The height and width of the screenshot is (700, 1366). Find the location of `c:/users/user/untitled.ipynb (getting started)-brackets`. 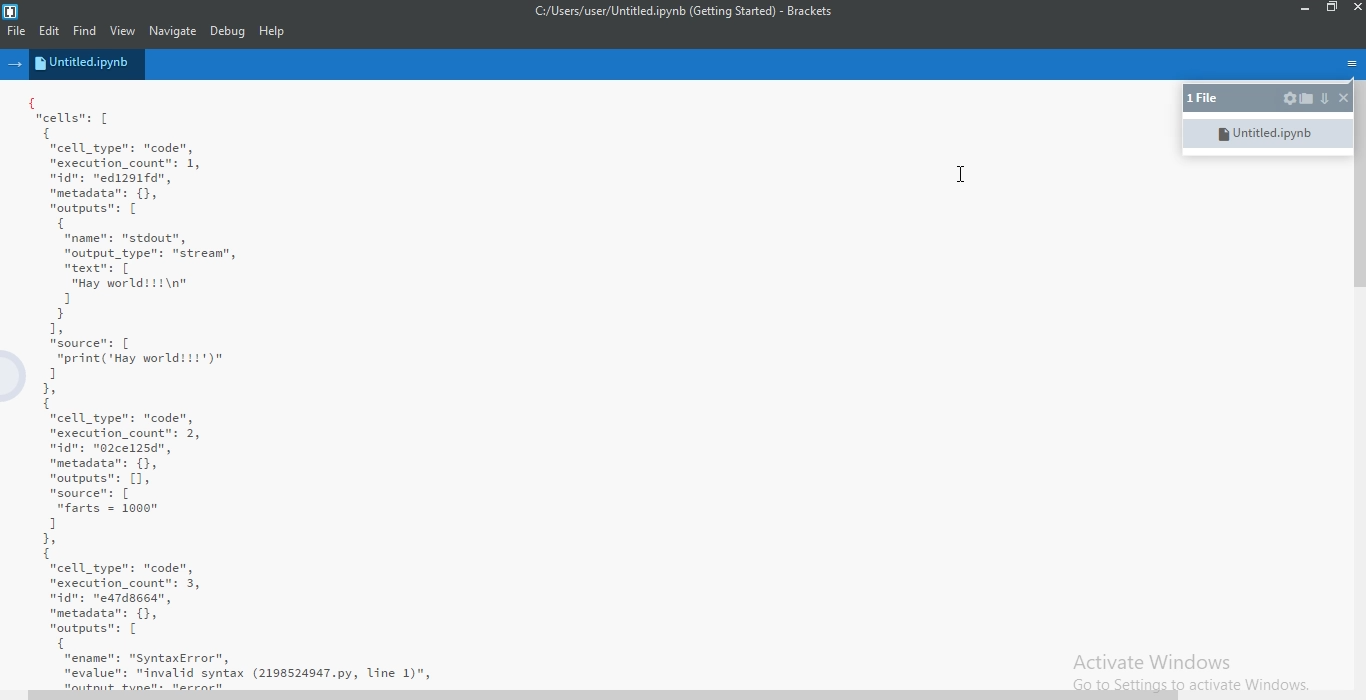

c:/users/user/untitled.ipynb (getting started)-brackets is located at coordinates (681, 14).